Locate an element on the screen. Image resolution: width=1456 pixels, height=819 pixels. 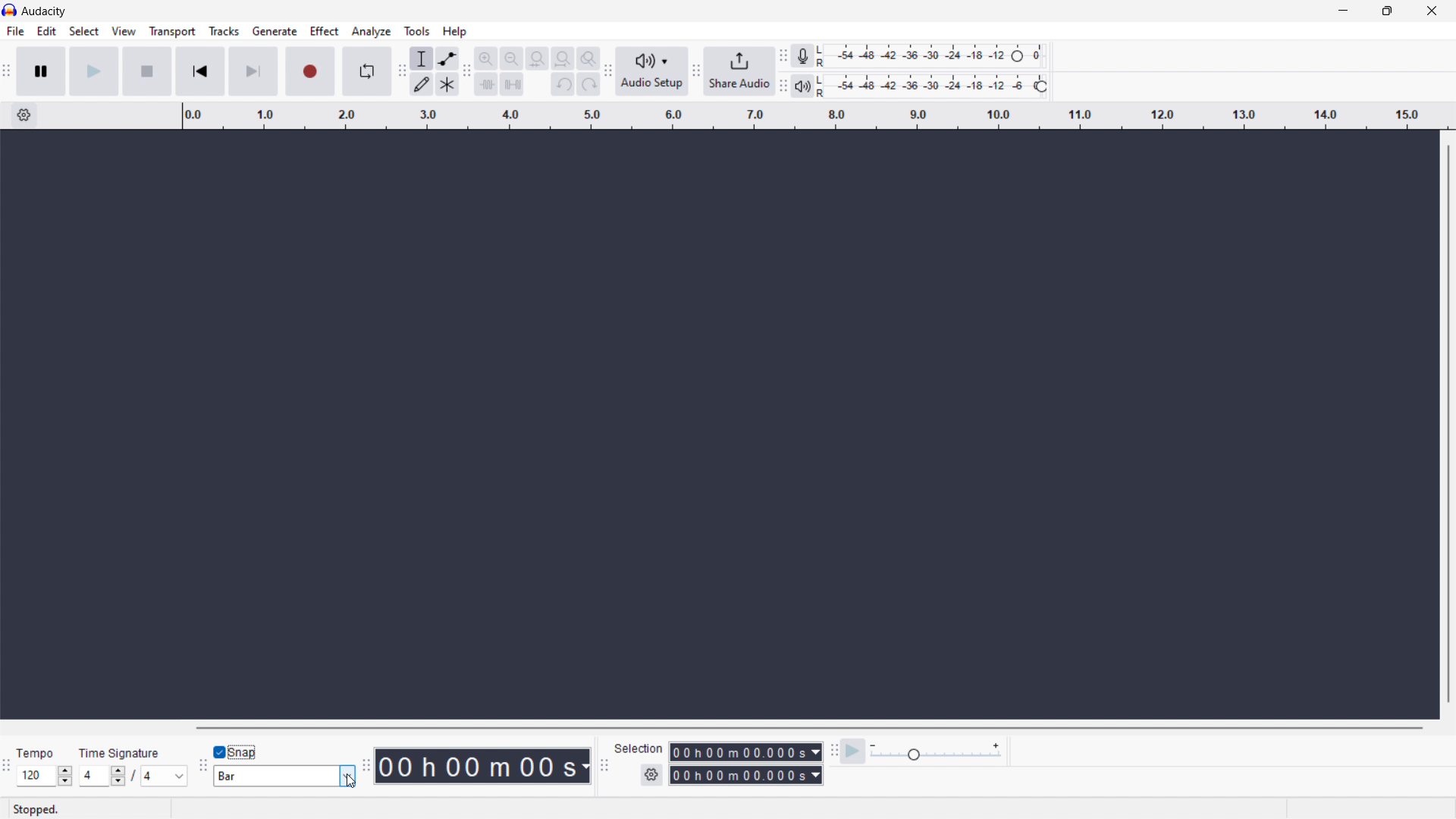
Minimize/Restore is located at coordinates (1387, 11).